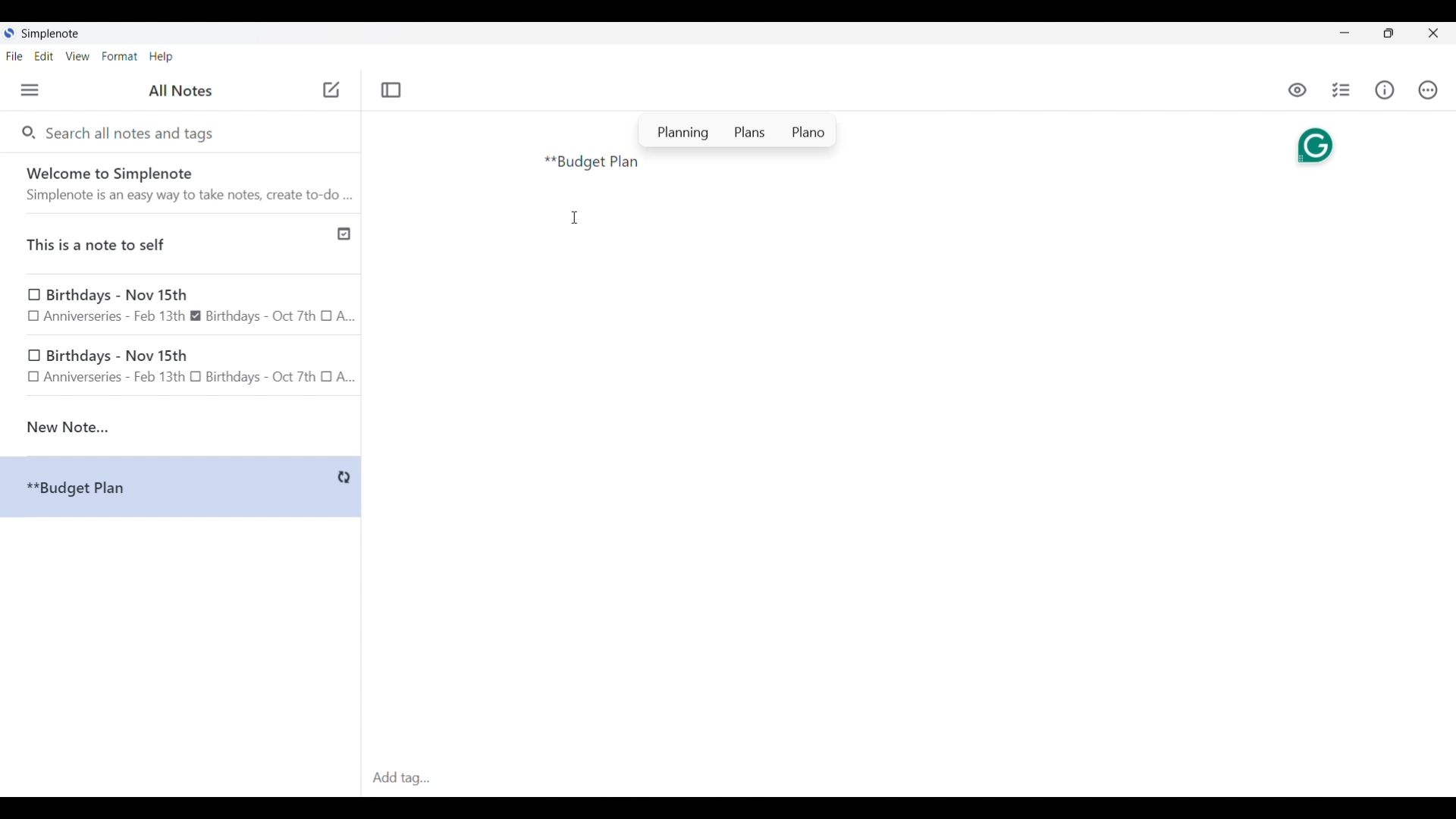 Image resolution: width=1456 pixels, height=819 pixels. I want to click on Edit menu, so click(45, 55).